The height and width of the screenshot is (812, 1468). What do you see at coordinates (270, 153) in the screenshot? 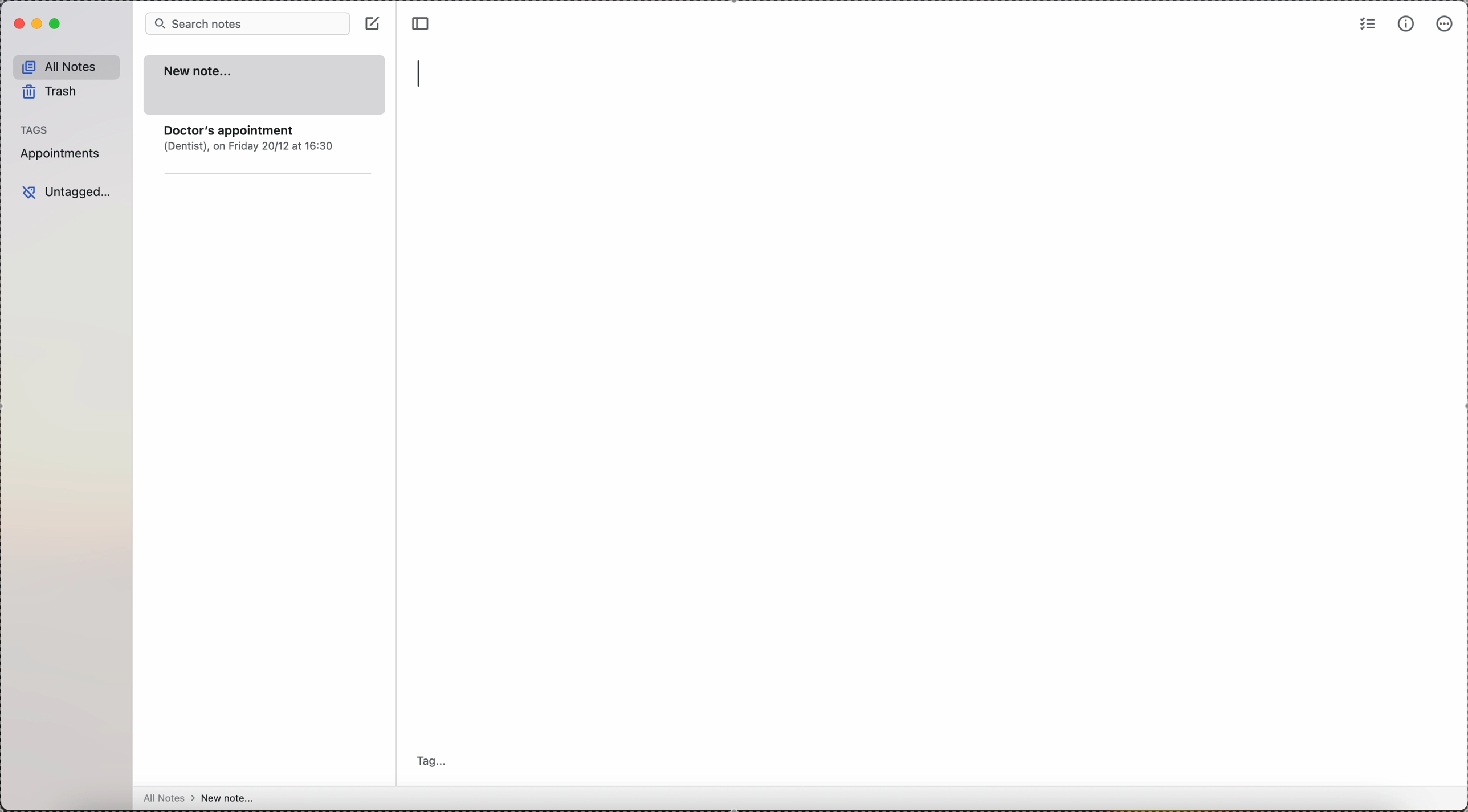
I see `note` at bounding box center [270, 153].